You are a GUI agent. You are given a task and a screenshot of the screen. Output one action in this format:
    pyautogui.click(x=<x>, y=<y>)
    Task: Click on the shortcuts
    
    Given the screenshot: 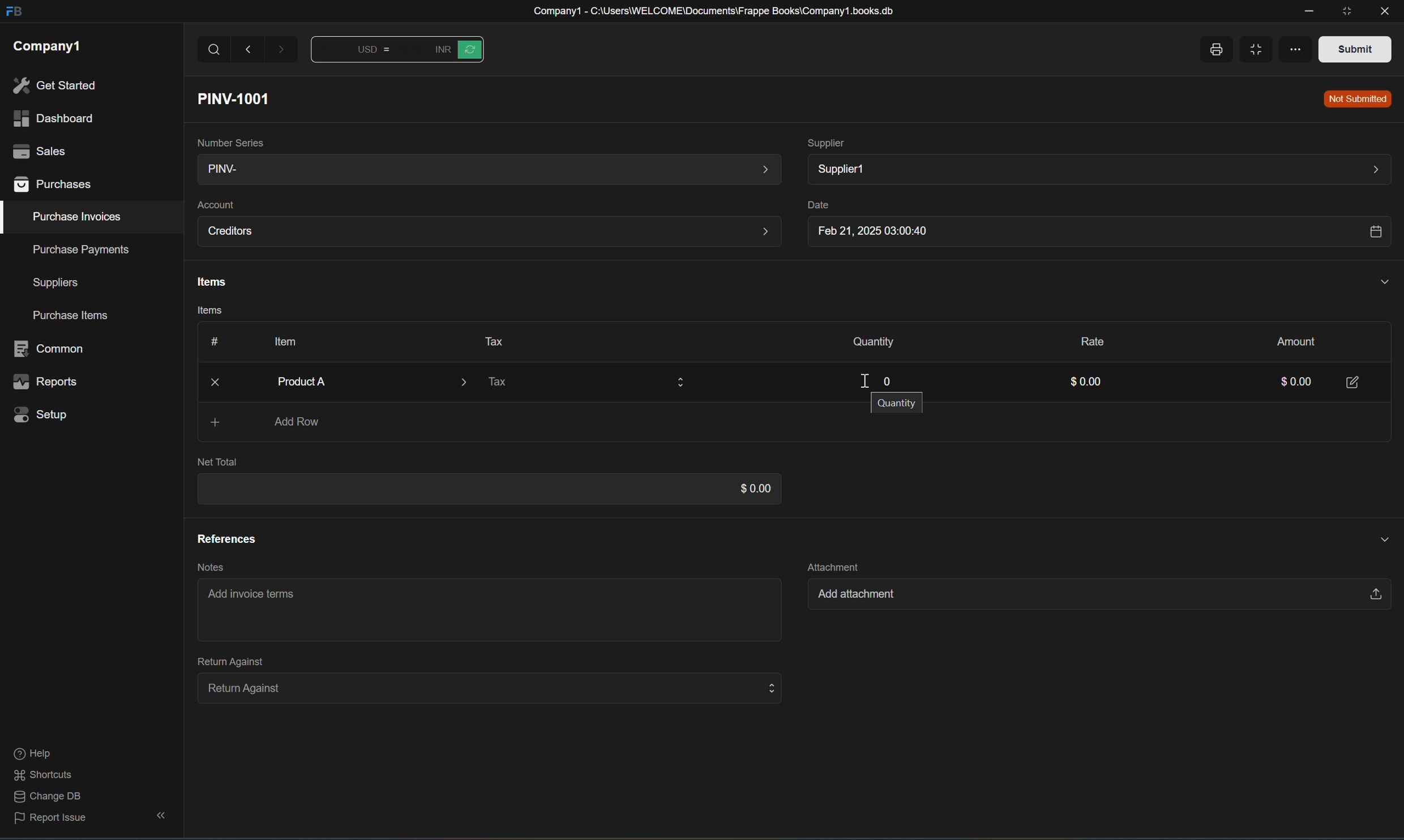 What is the action you would take?
    pyautogui.click(x=44, y=775)
    